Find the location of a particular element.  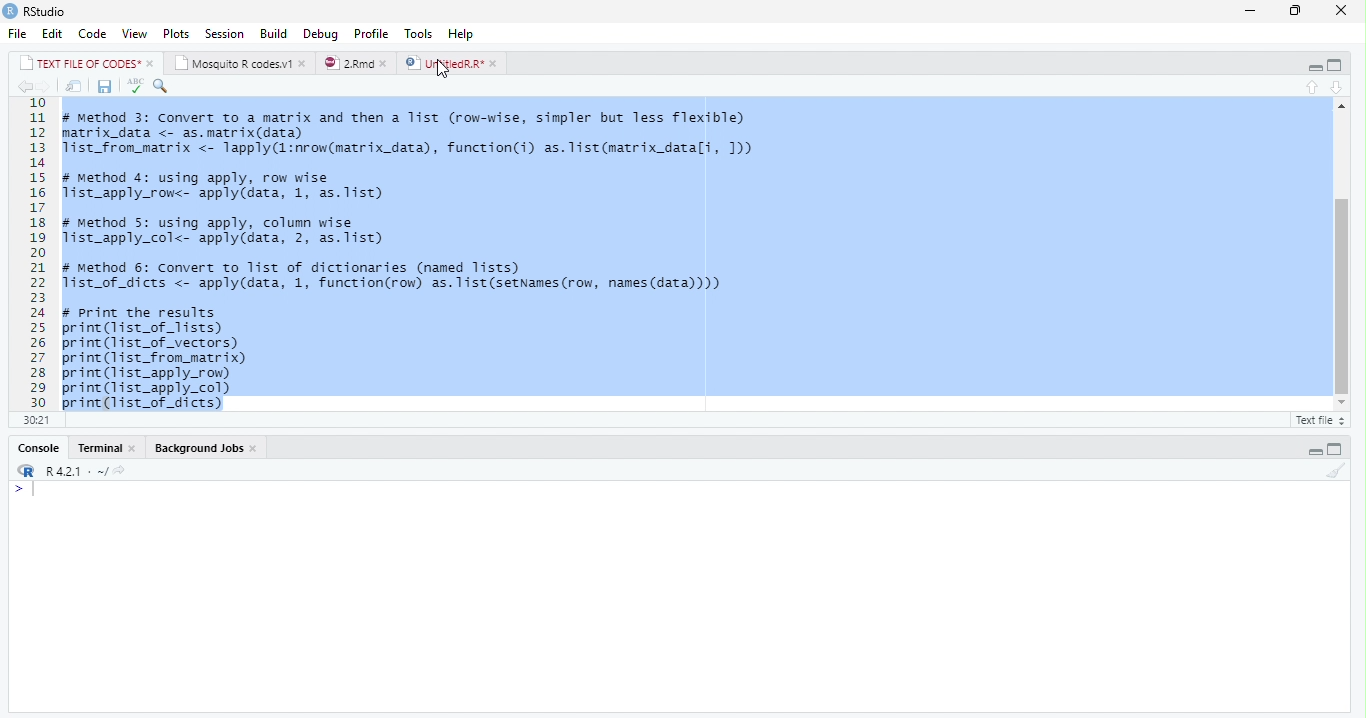

# Method 3: Convert to a matrix and then a list (row-wise, simpler but less flexible)matrix_data <- as.matrix(data)1ist_from matrix <- lapply(1:nrow(matrix_data), function(i) as.list(matrix_datali, 1))# method 4: using apply, row wise1i5t_apply_row<- apply(data, 1, as.list)# method 5: using apply, column wise1ist_apply_col<- apply(data, 2, as.list)# method 6: Convert to 1ist of dictionaries (named 1ists)1ist_of dicts <- apply(data, 1, function(row) as.1ist(setNames(row, names(data))))# print the resultsprint (1ist_of_1ists)print (11st_of vectors)print (11st_fron_matrix)print (115t_apply_row)print (115t_apply_col)orint(1ist_of_dicts)| is located at coordinates (425, 254).